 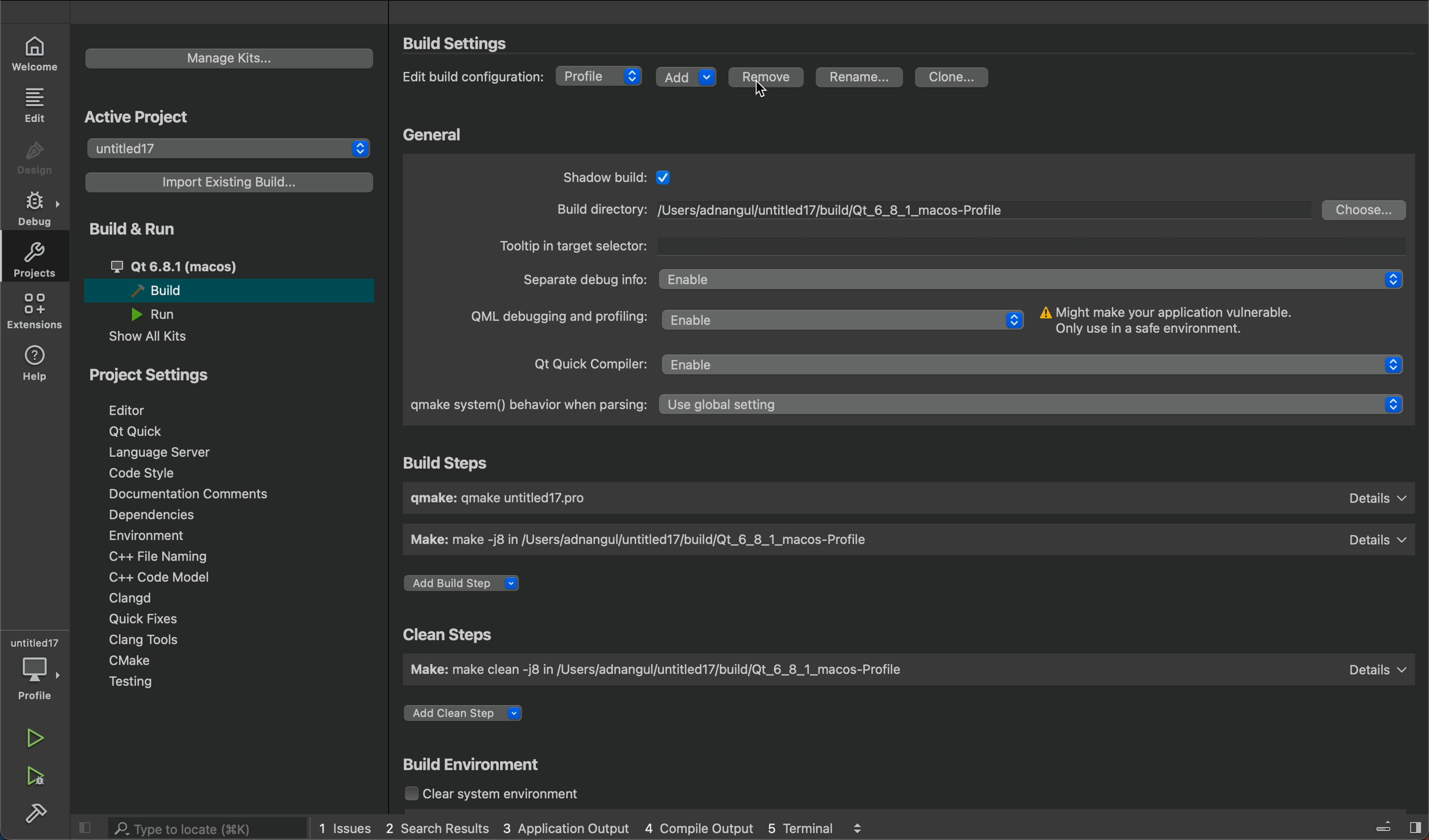 What do you see at coordinates (147, 662) in the screenshot?
I see `cmake` at bounding box center [147, 662].